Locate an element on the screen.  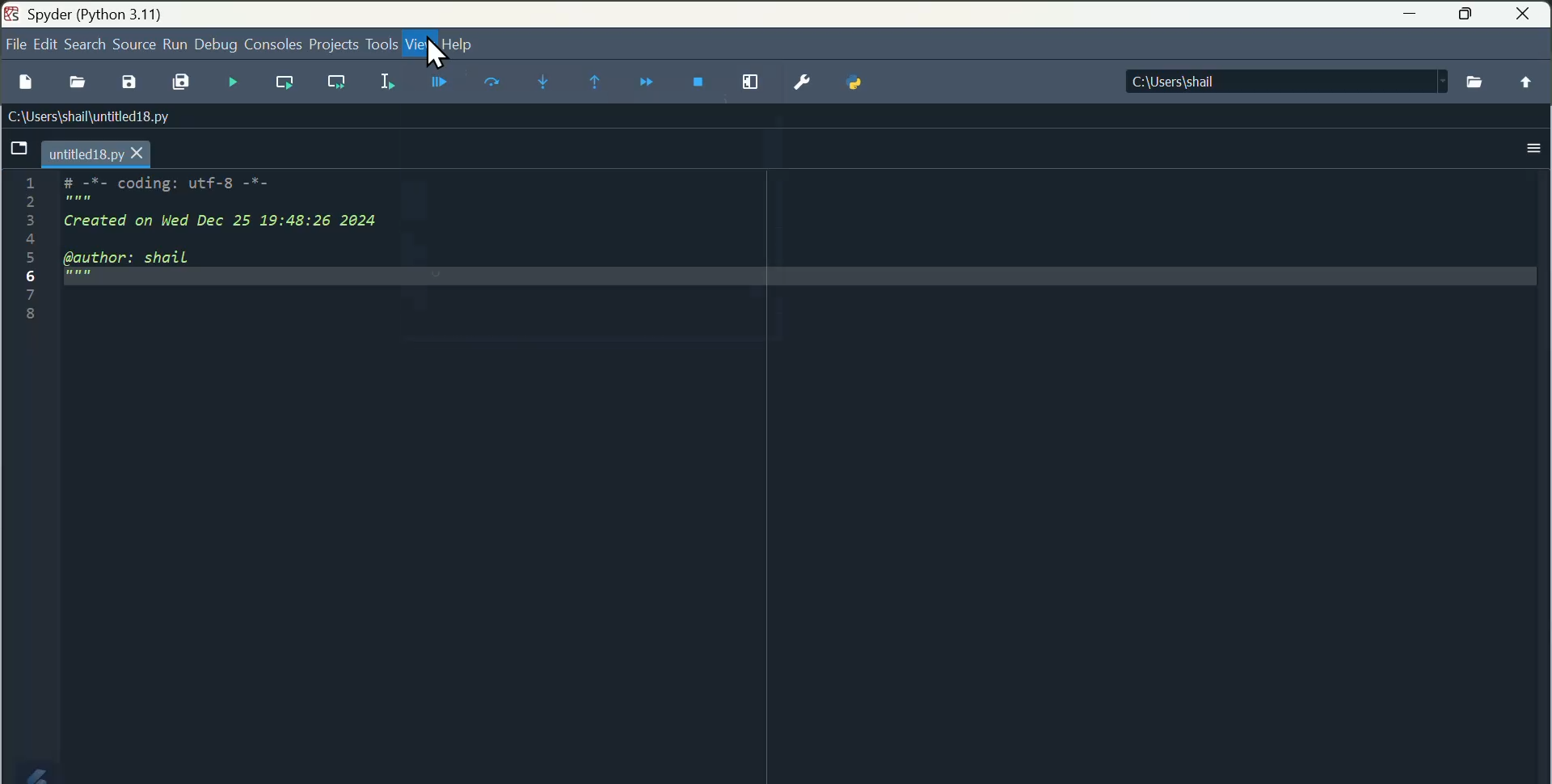
Debug is located at coordinates (217, 43).